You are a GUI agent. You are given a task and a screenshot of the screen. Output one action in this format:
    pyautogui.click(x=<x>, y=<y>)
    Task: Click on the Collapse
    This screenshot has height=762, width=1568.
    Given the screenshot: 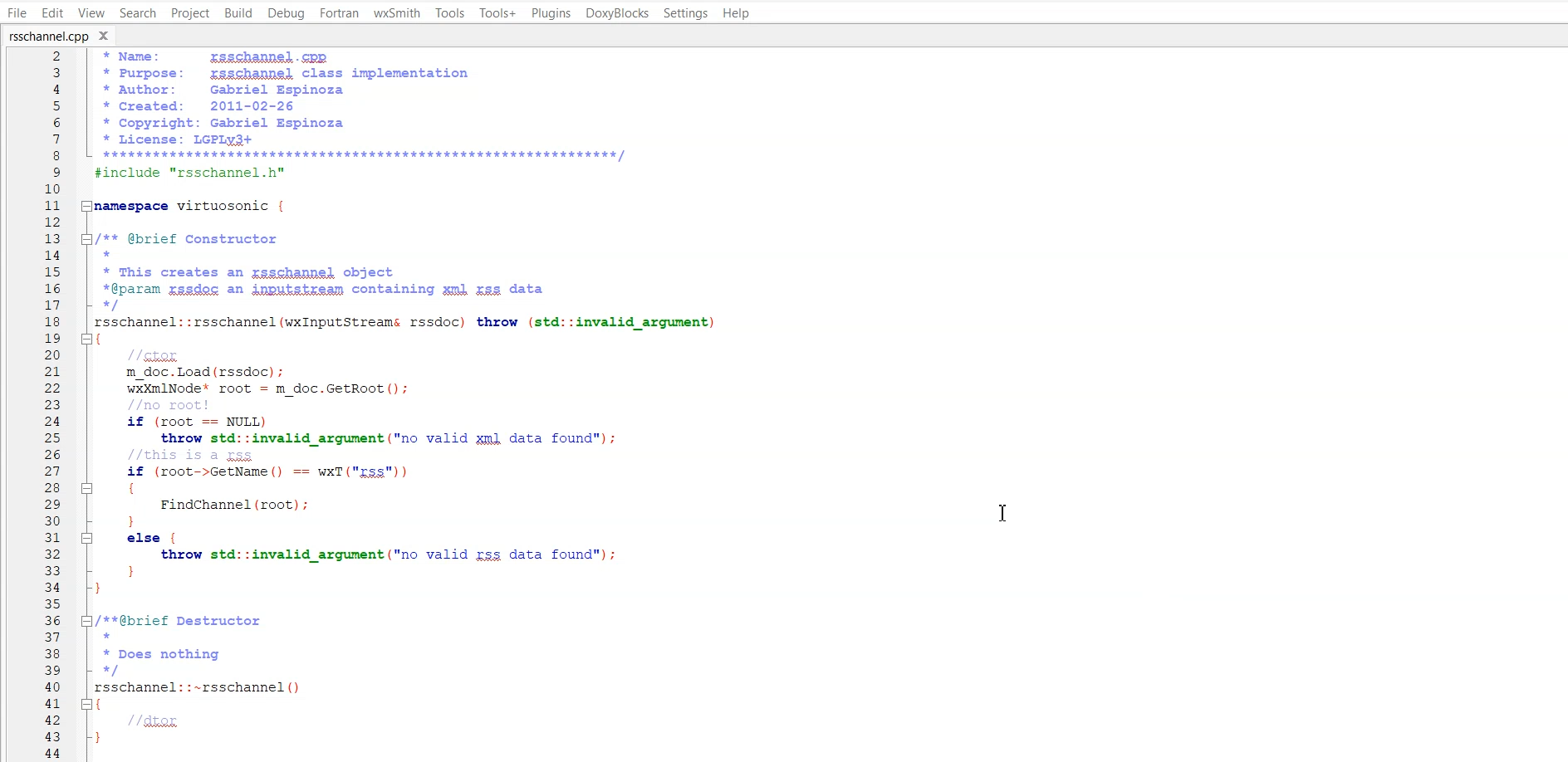 What is the action you would take?
    pyautogui.click(x=88, y=239)
    